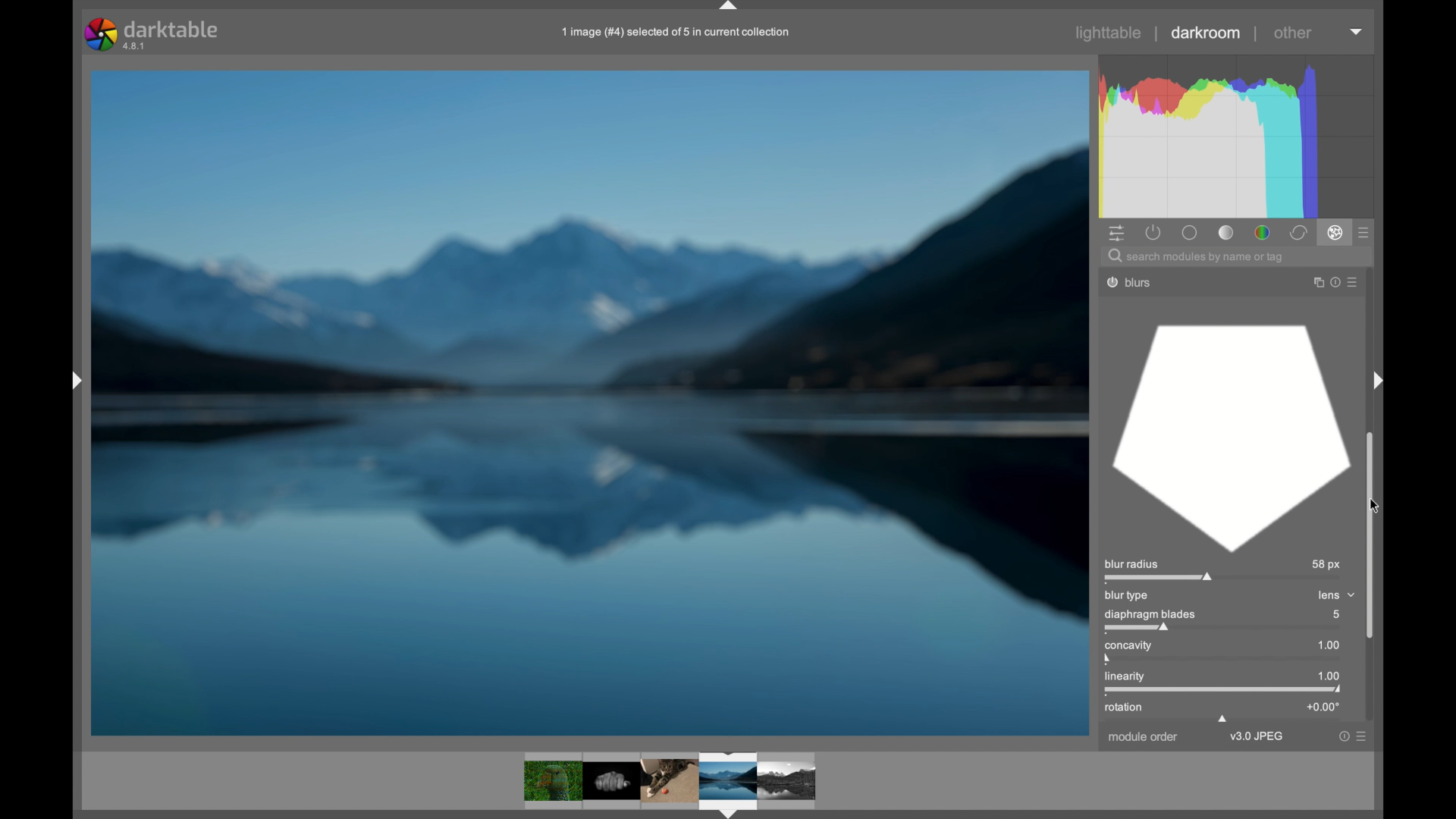 Image resolution: width=1456 pixels, height=819 pixels. Describe the element at coordinates (70, 385) in the screenshot. I see `` at that location.